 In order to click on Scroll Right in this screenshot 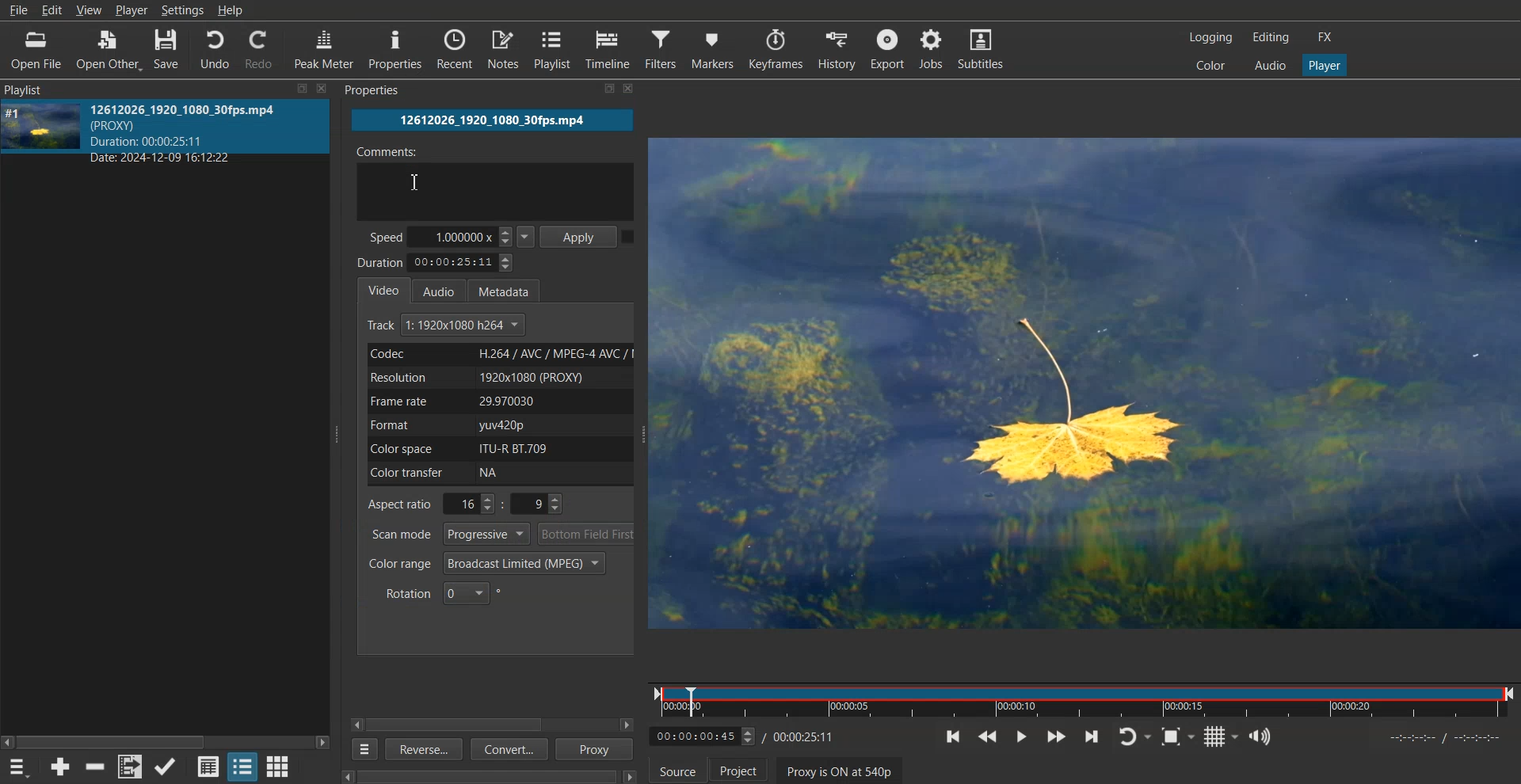, I will do `click(627, 725)`.